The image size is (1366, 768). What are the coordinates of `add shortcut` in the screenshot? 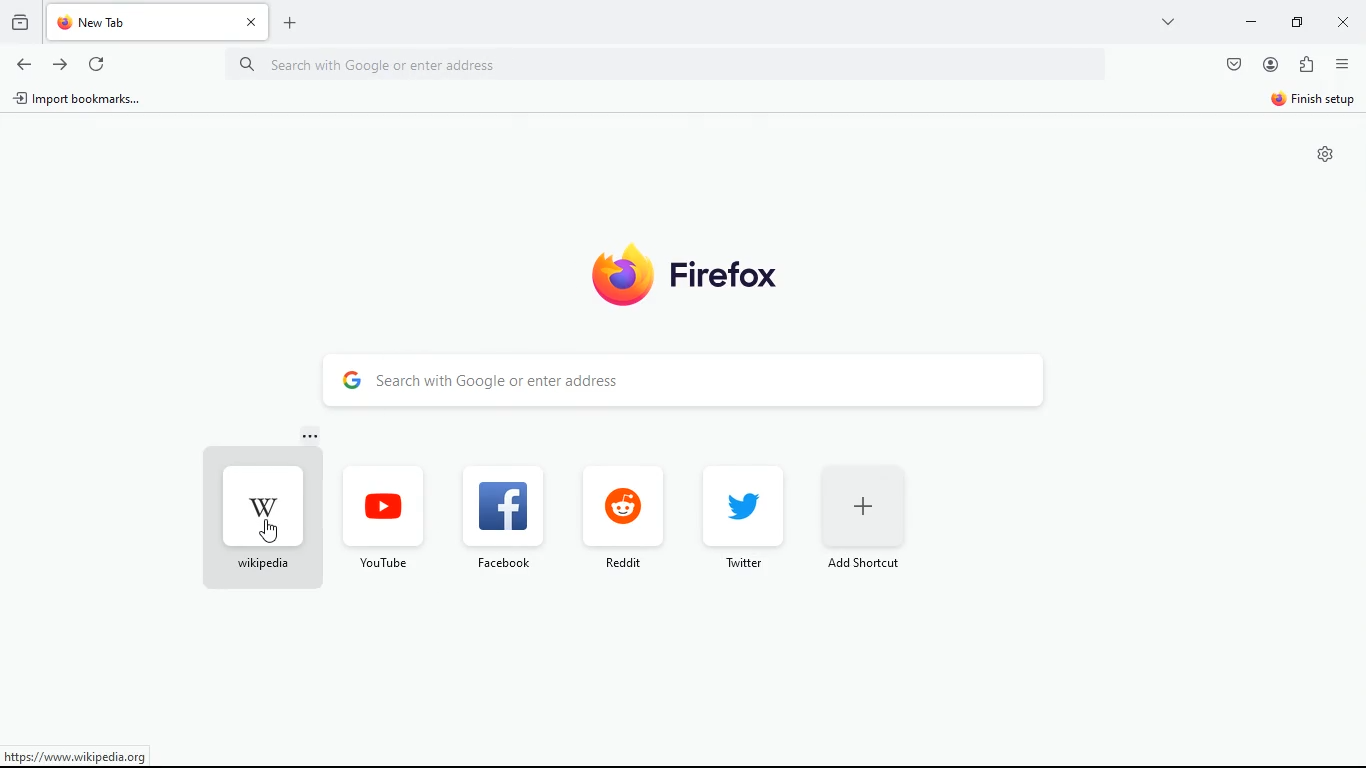 It's located at (863, 566).